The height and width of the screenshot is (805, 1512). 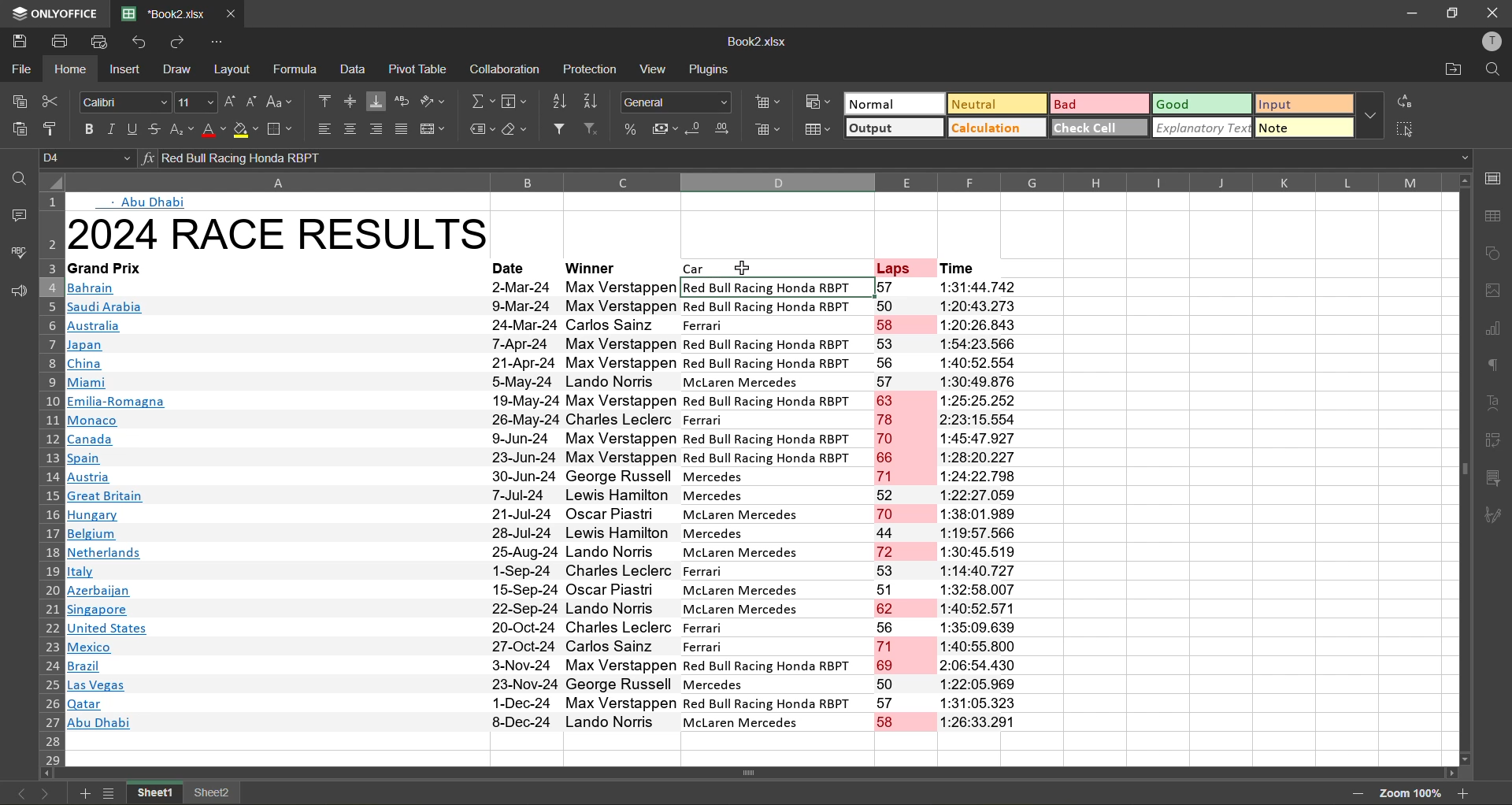 I want to click on decrease decimal, so click(x=695, y=130).